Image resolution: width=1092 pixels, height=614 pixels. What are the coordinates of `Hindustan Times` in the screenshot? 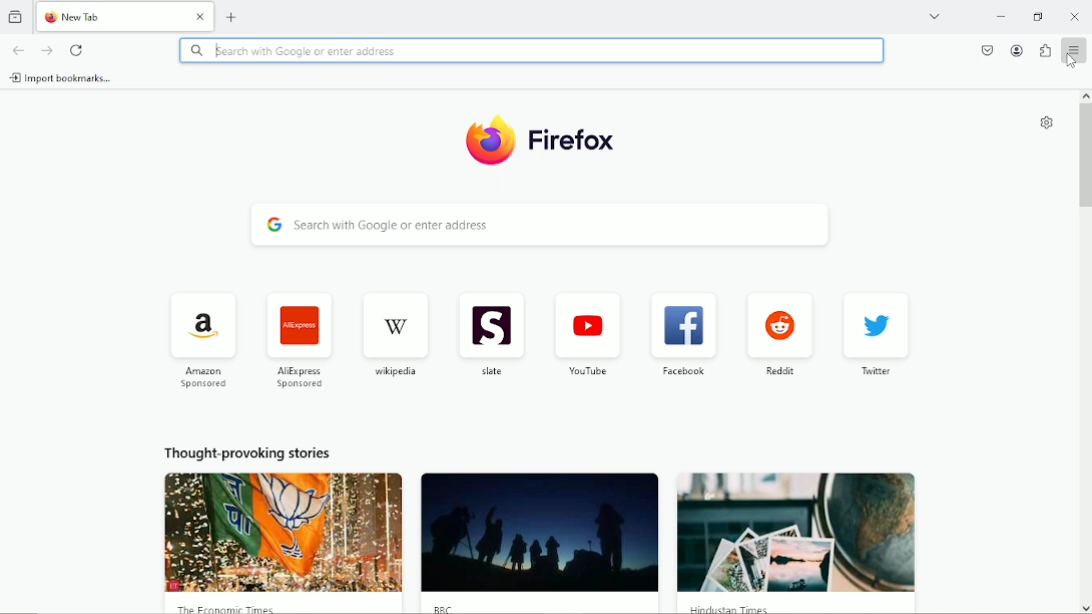 It's located at (796, 543).